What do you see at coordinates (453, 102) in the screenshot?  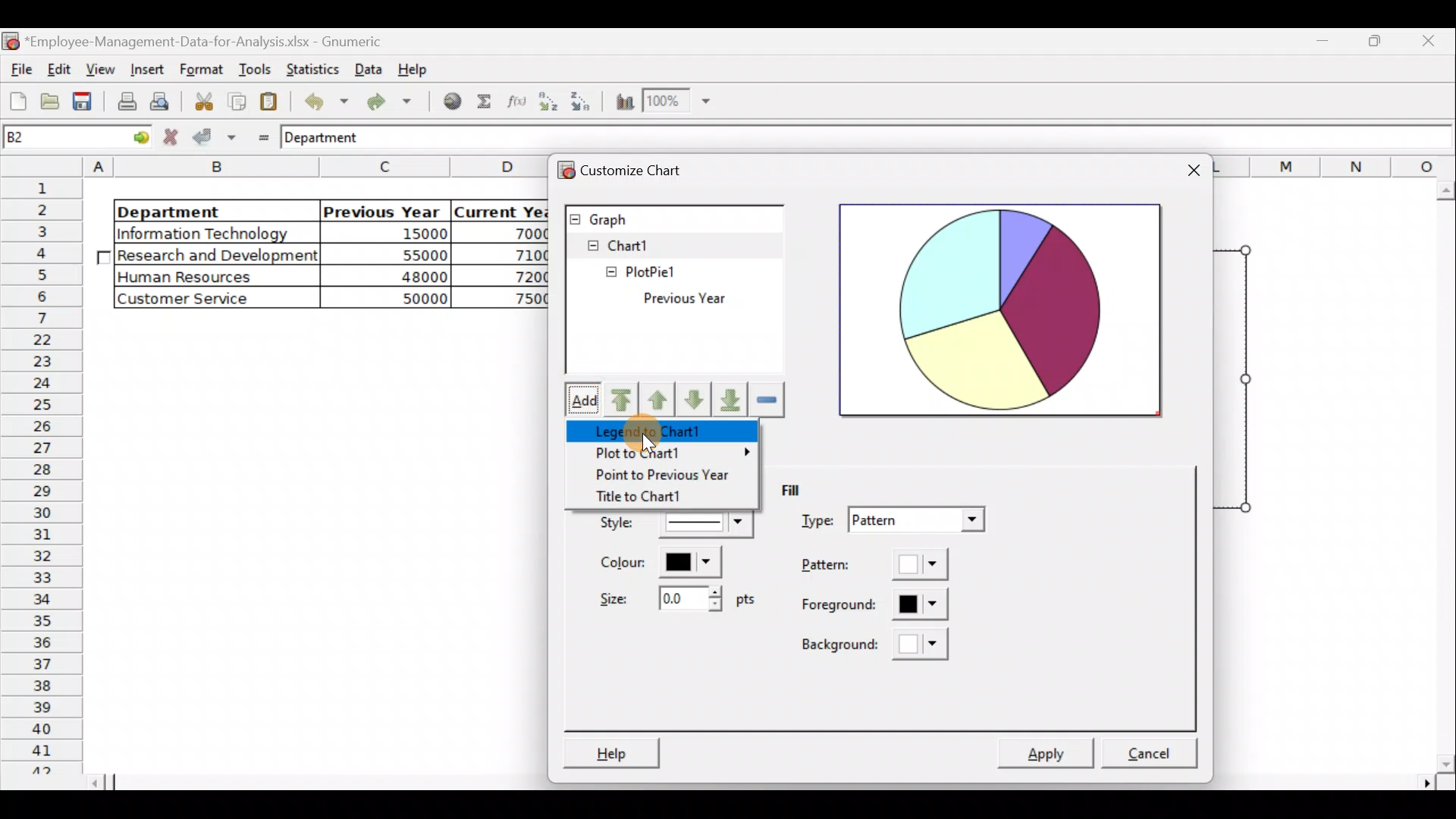 I see `Insert hyperlink` at bounding box center [453, 102].